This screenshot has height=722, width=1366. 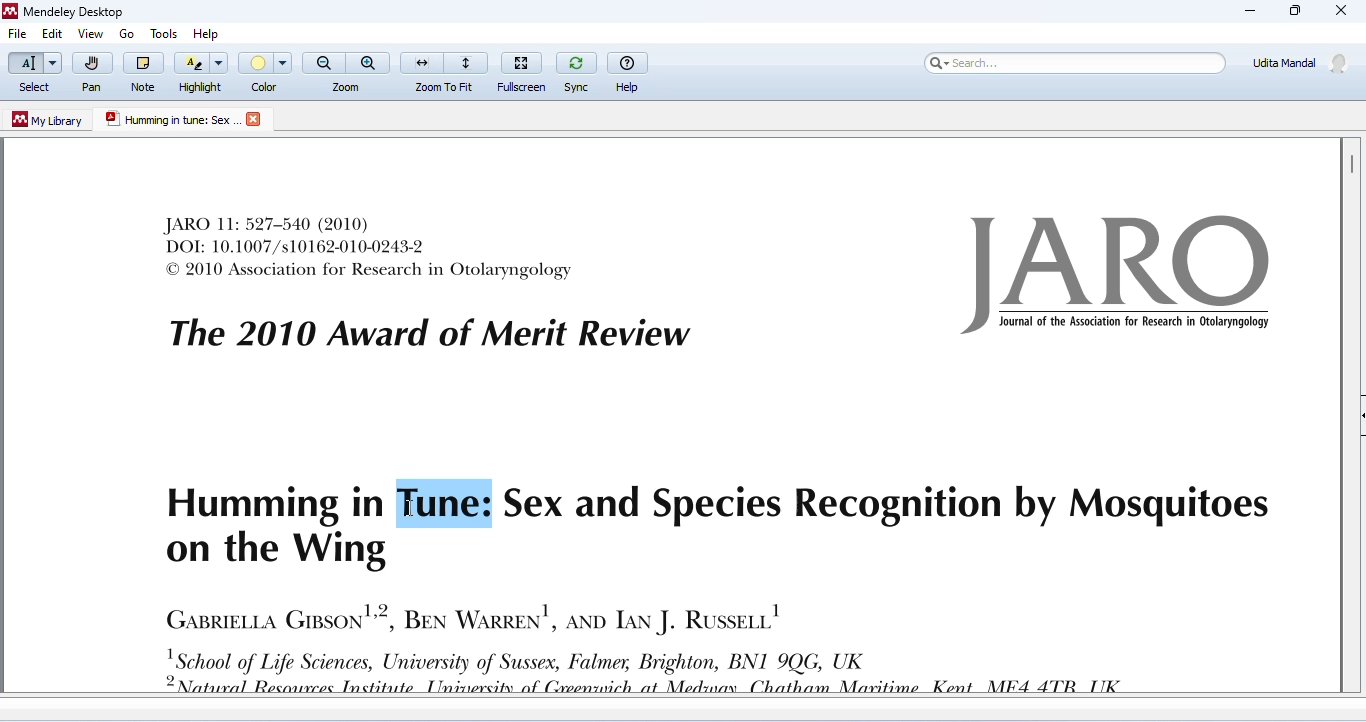 I want to click on JARO Journal of the Association for Research in Otolaryngology, so click(x=1122, y=275).